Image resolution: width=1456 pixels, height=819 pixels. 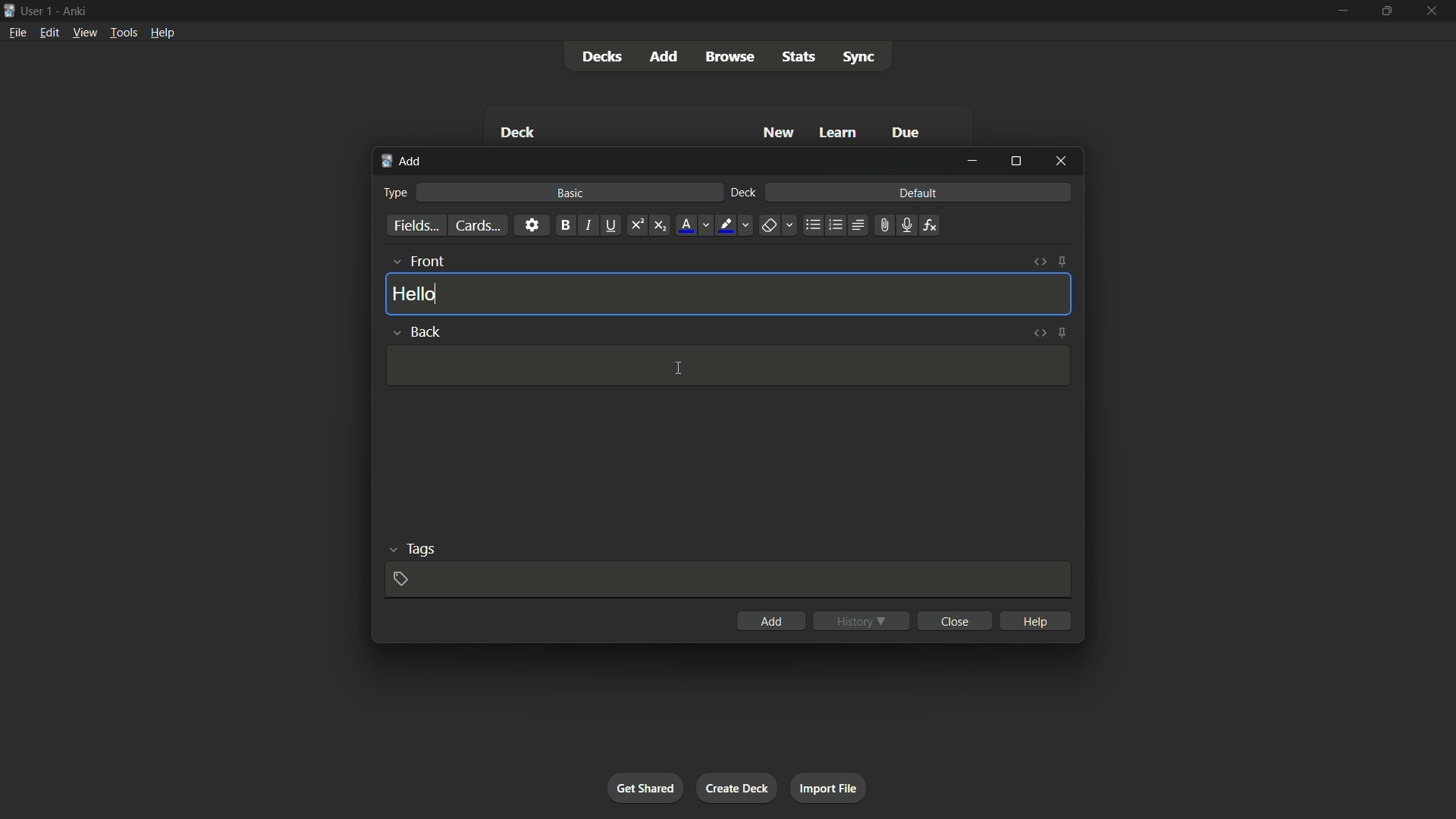 What do you see at coordinates (1040, 262) in the screenshot?
I see `toggle html editor` at bounding box center [1040, 262].